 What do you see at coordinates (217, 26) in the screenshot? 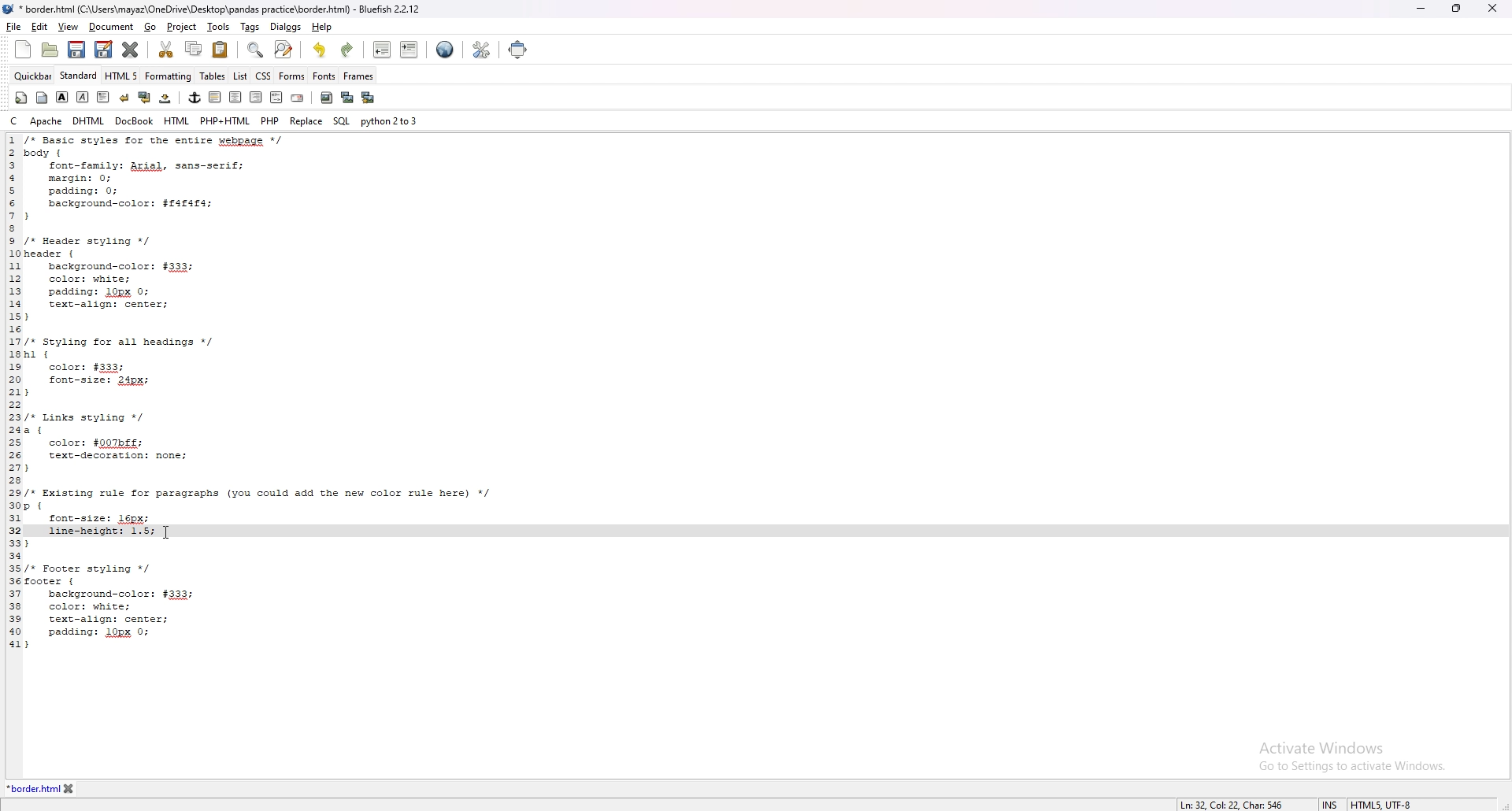
I see `tools` at bounding box center [217, 26].